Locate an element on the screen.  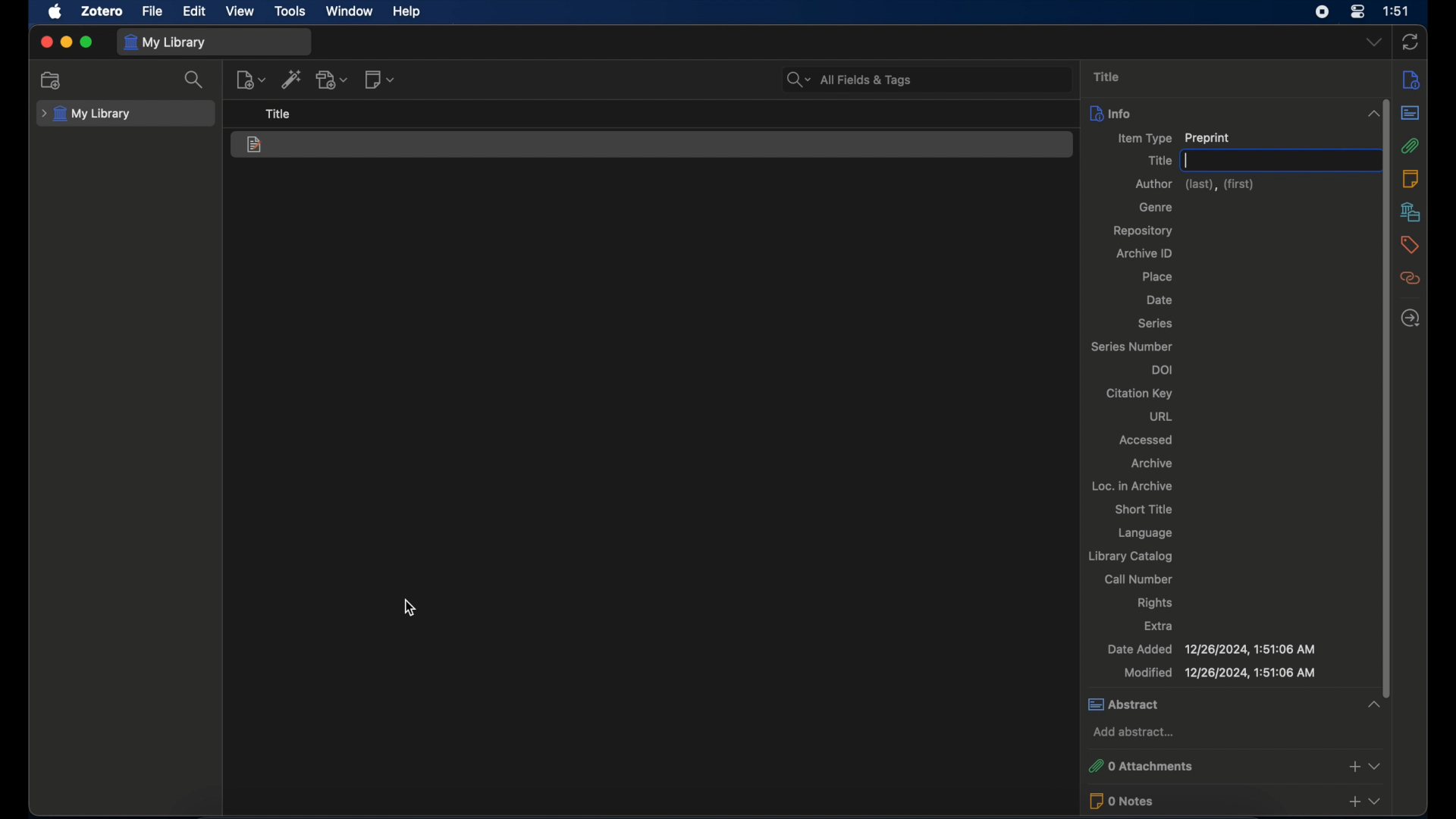
window is located at coordinates (350, 11).